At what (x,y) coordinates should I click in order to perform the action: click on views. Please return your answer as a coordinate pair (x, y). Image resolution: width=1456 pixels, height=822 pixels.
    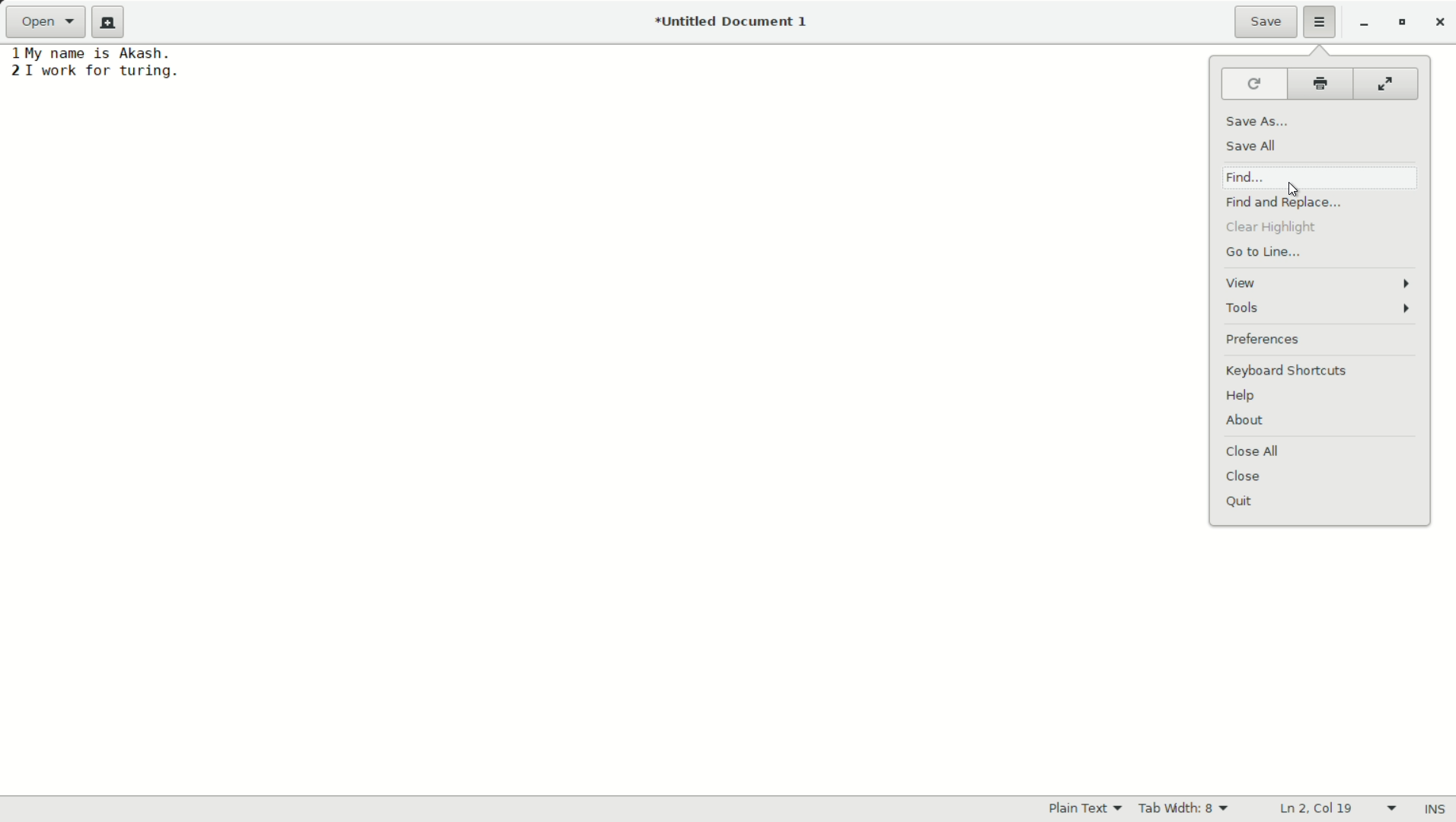
    Looking at the image, I should click on (1318, 282).